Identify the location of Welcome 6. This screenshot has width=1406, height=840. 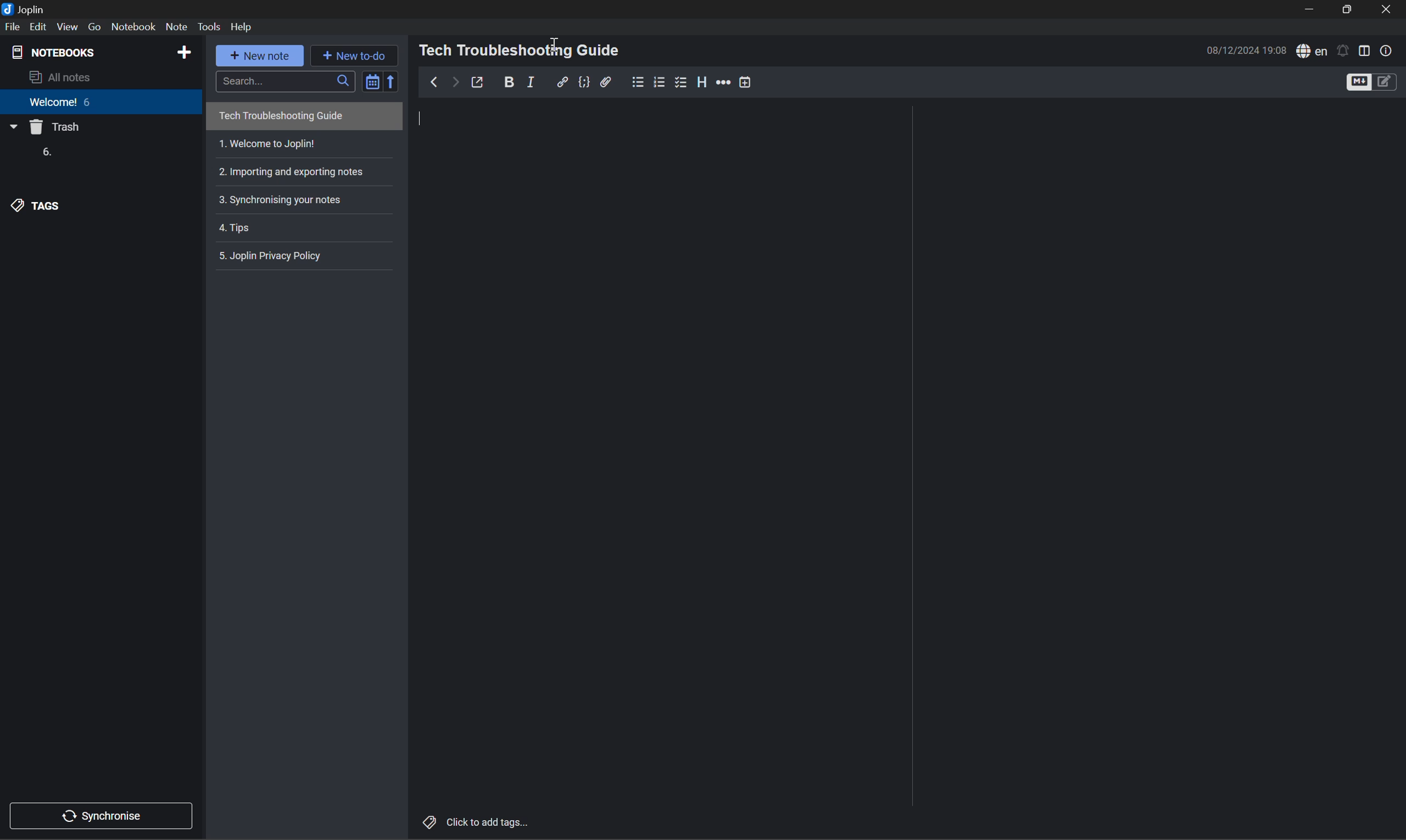
(62, 106).